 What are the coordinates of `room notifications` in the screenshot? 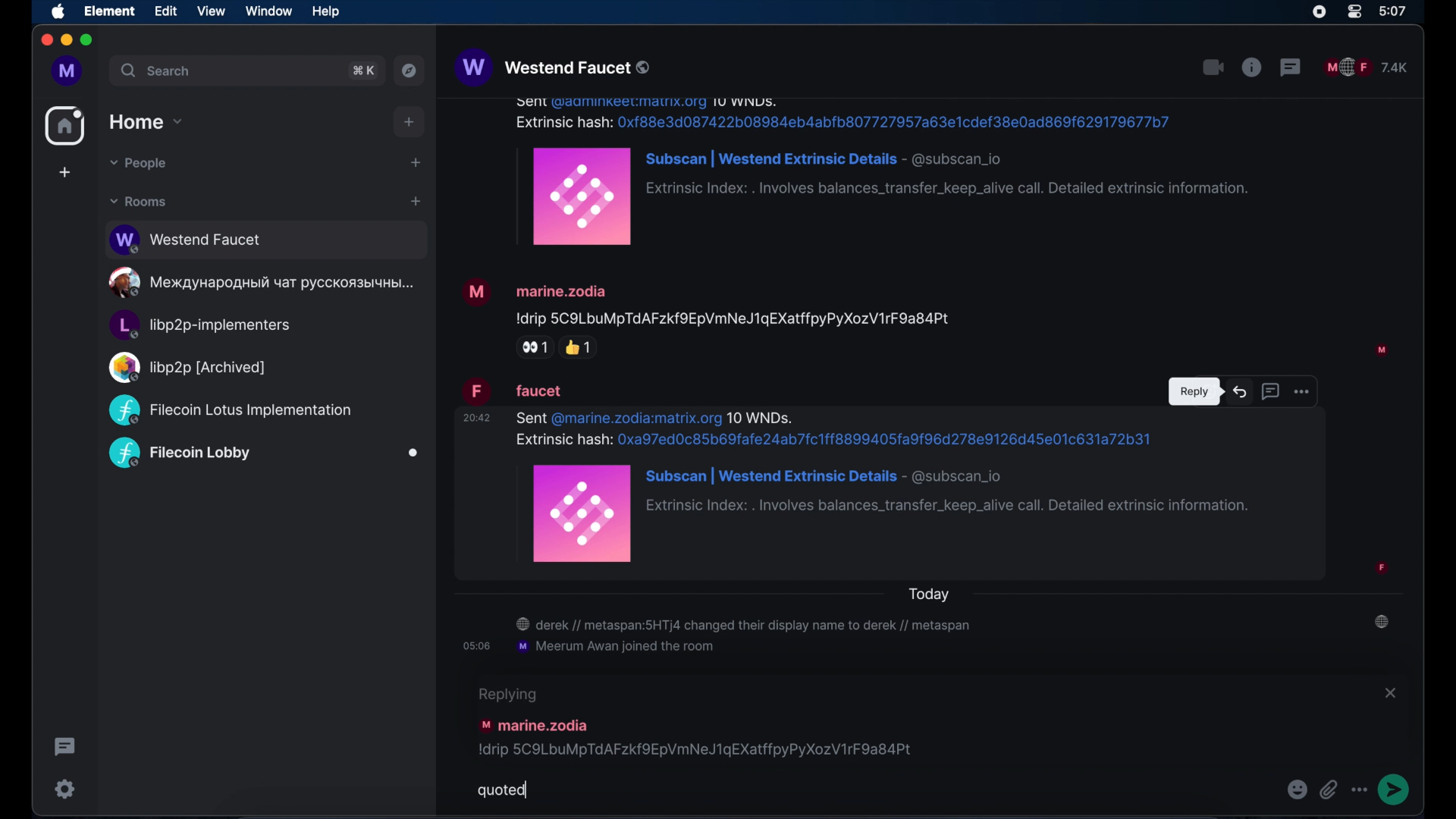 It's located at (932, 637).